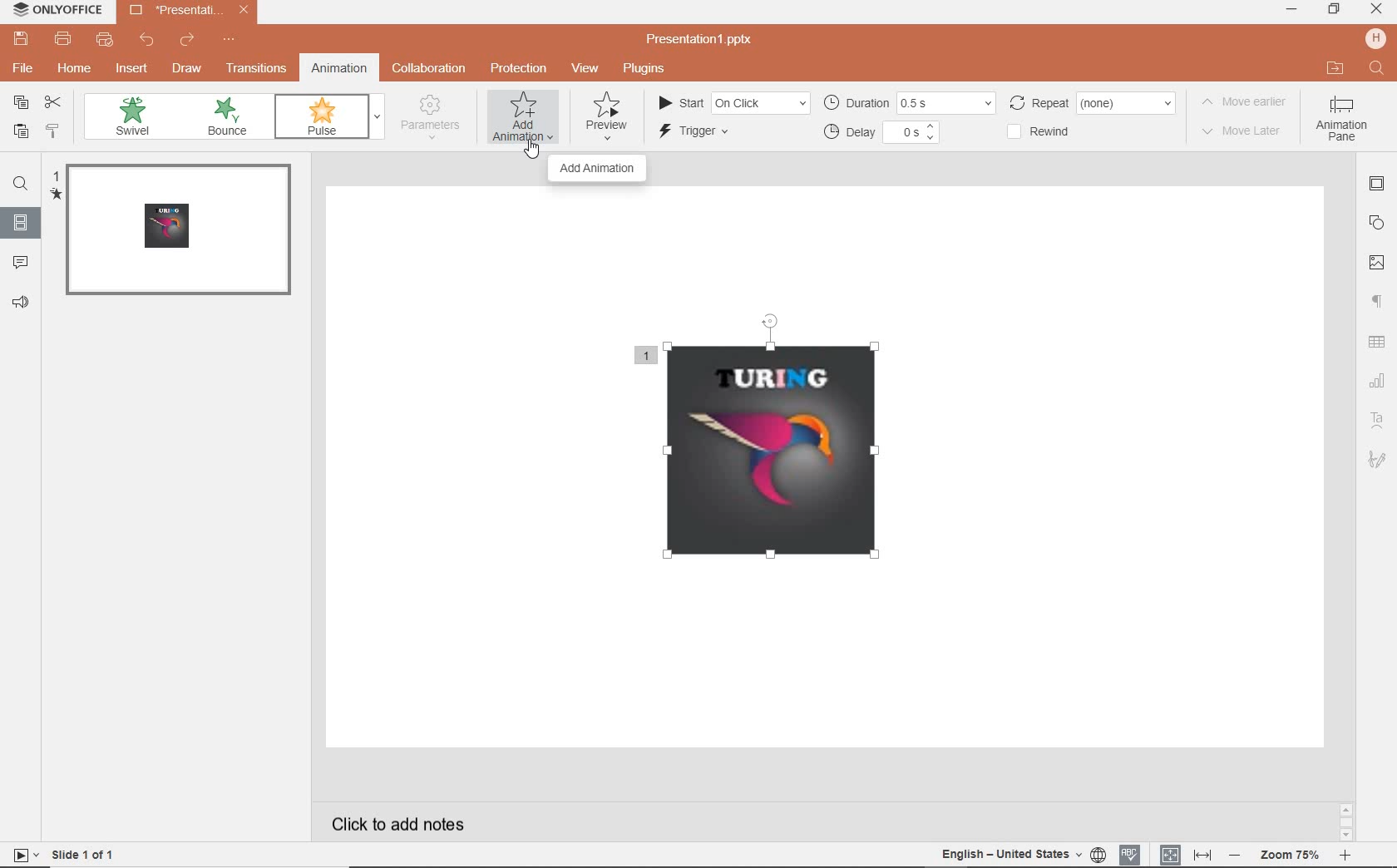 The height and width of the screenshot is (868, 1397). I want to click on fit to width, so click(1202, 856).